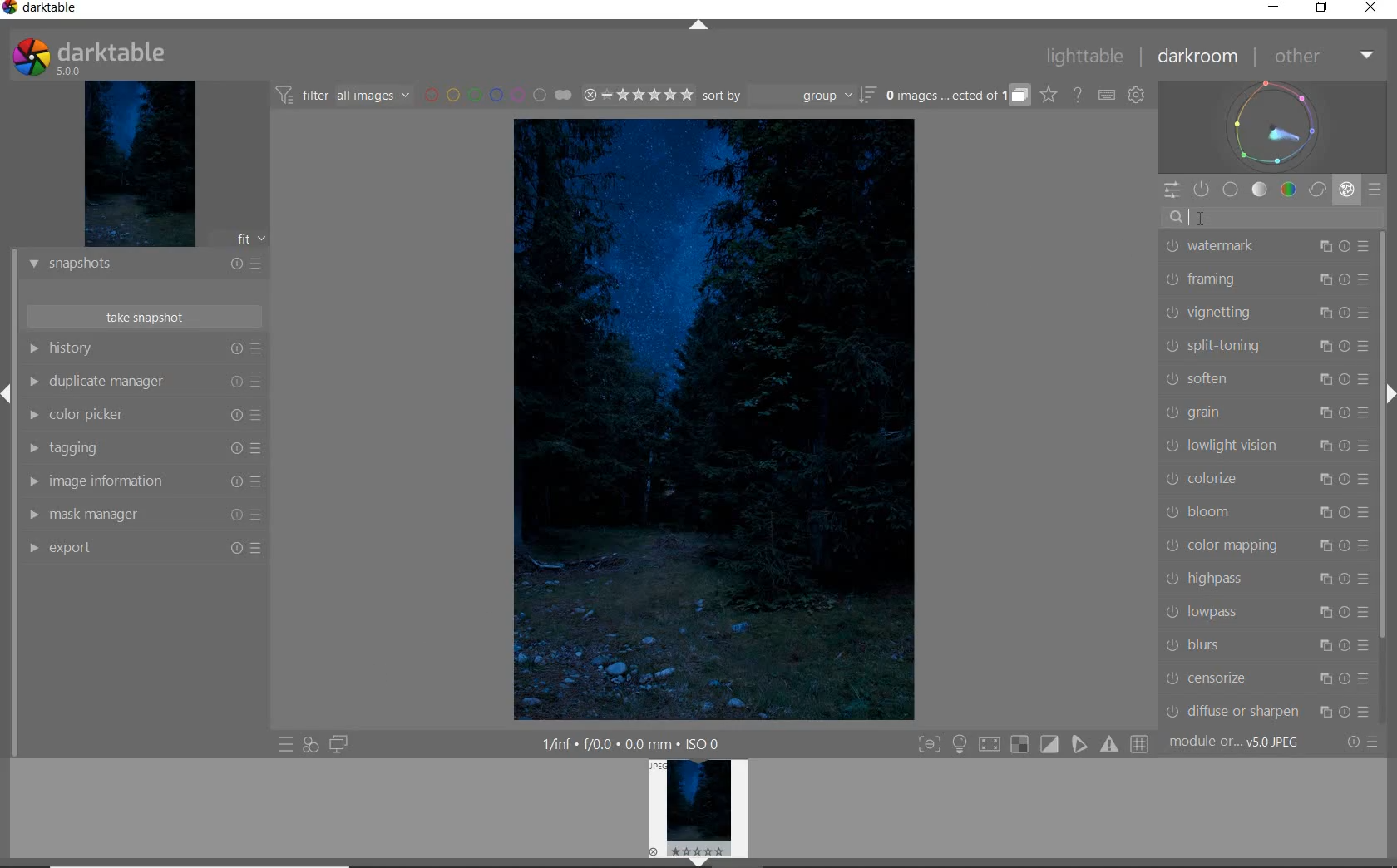 This screenshot has width=1397, height=868. Describe the element at coordinates (287, 745) in the screenshot. I see `QUICK ACCESS TO PRESET` at that location.